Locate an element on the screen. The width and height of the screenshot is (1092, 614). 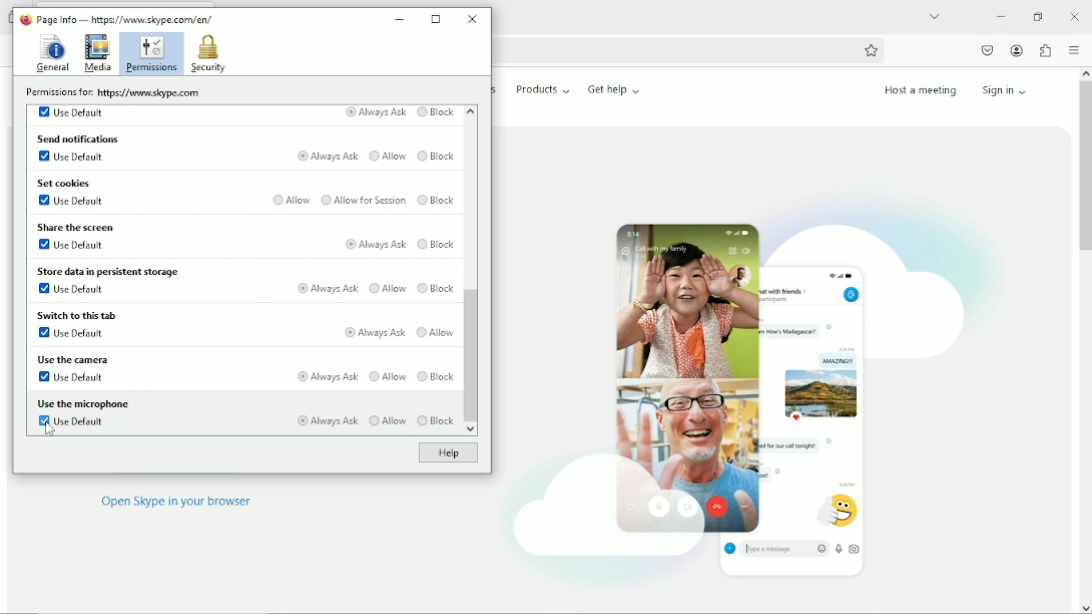
Switch to this tab is located at coordinates (76, 316).